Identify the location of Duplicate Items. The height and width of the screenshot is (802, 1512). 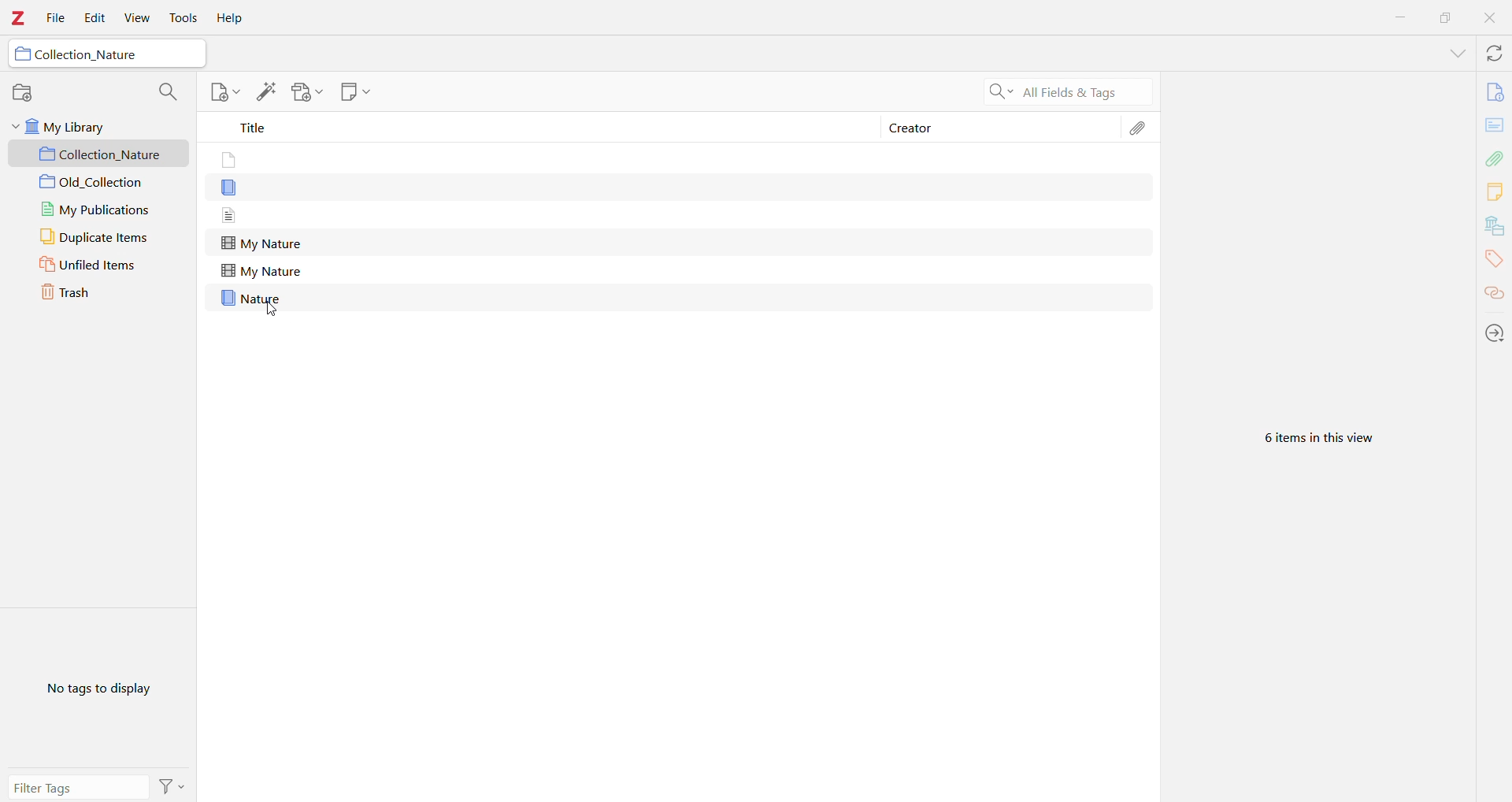
(95, 237).